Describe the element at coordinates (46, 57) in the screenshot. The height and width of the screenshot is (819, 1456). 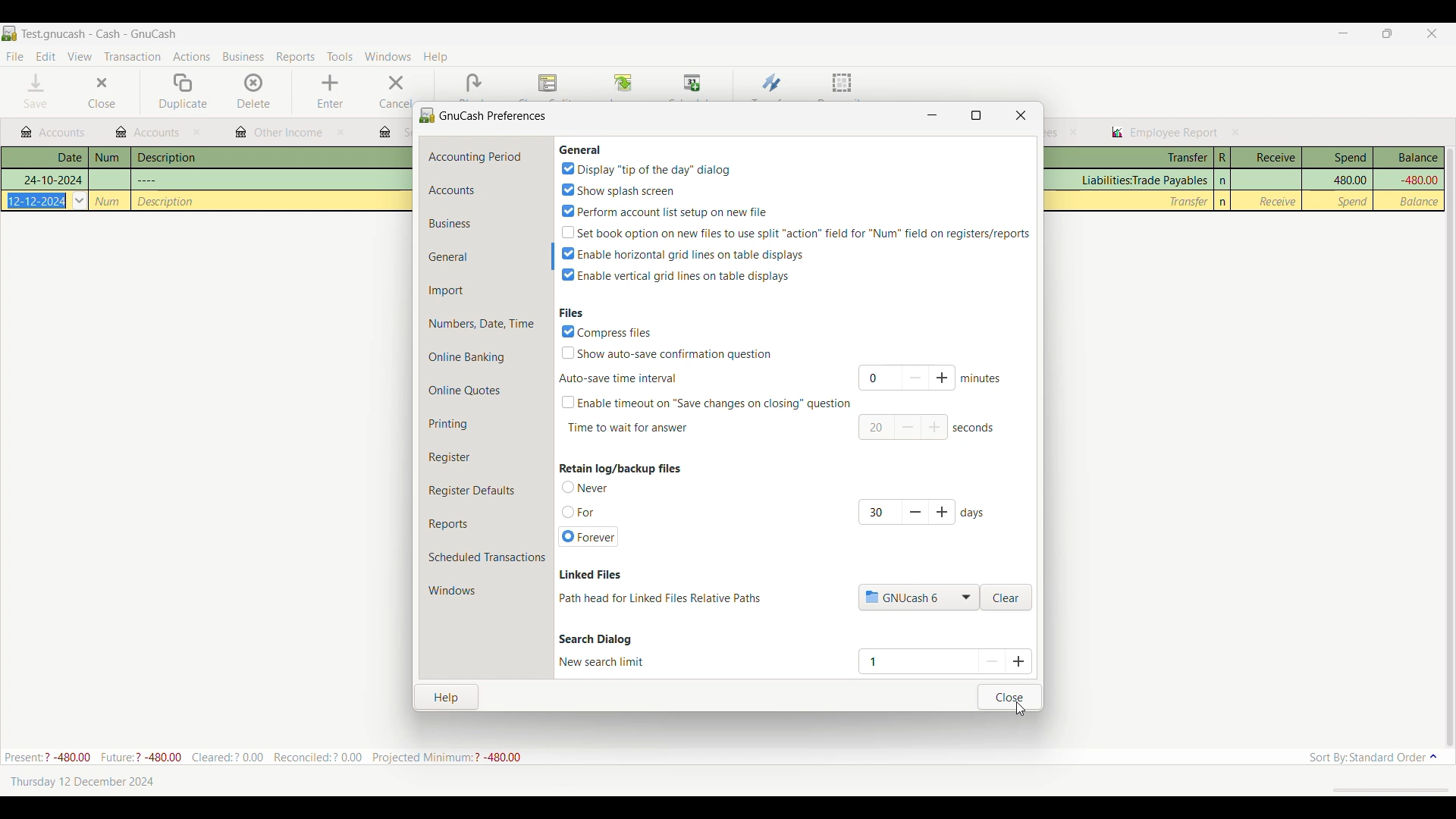
I see `Edit menu` at that location.